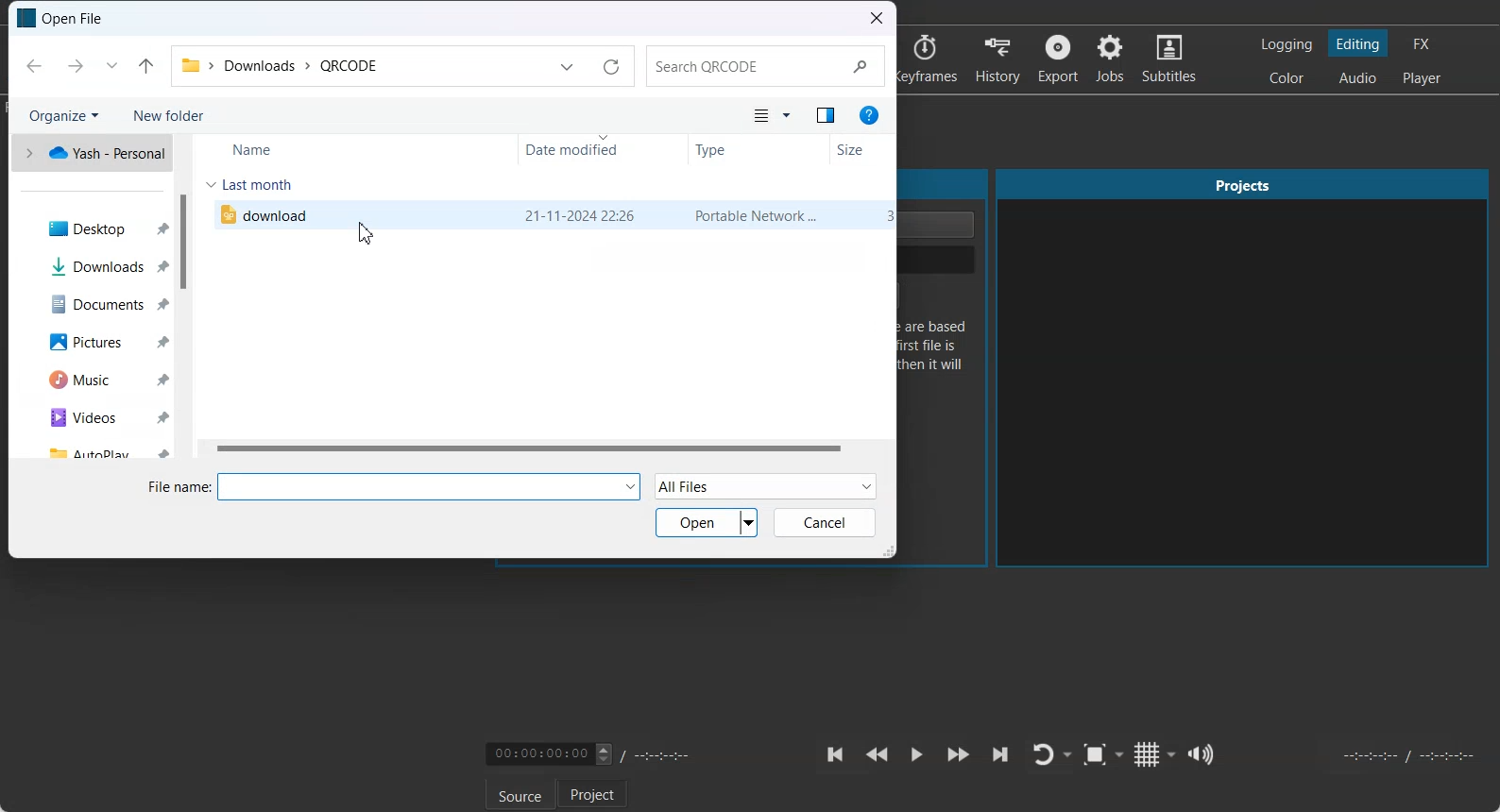 This screenshot has width=1500, height=812. What do you see at coordinates (112, 66) in the screenshot?
I see `Recent Location` at bounding box center [112, 66].